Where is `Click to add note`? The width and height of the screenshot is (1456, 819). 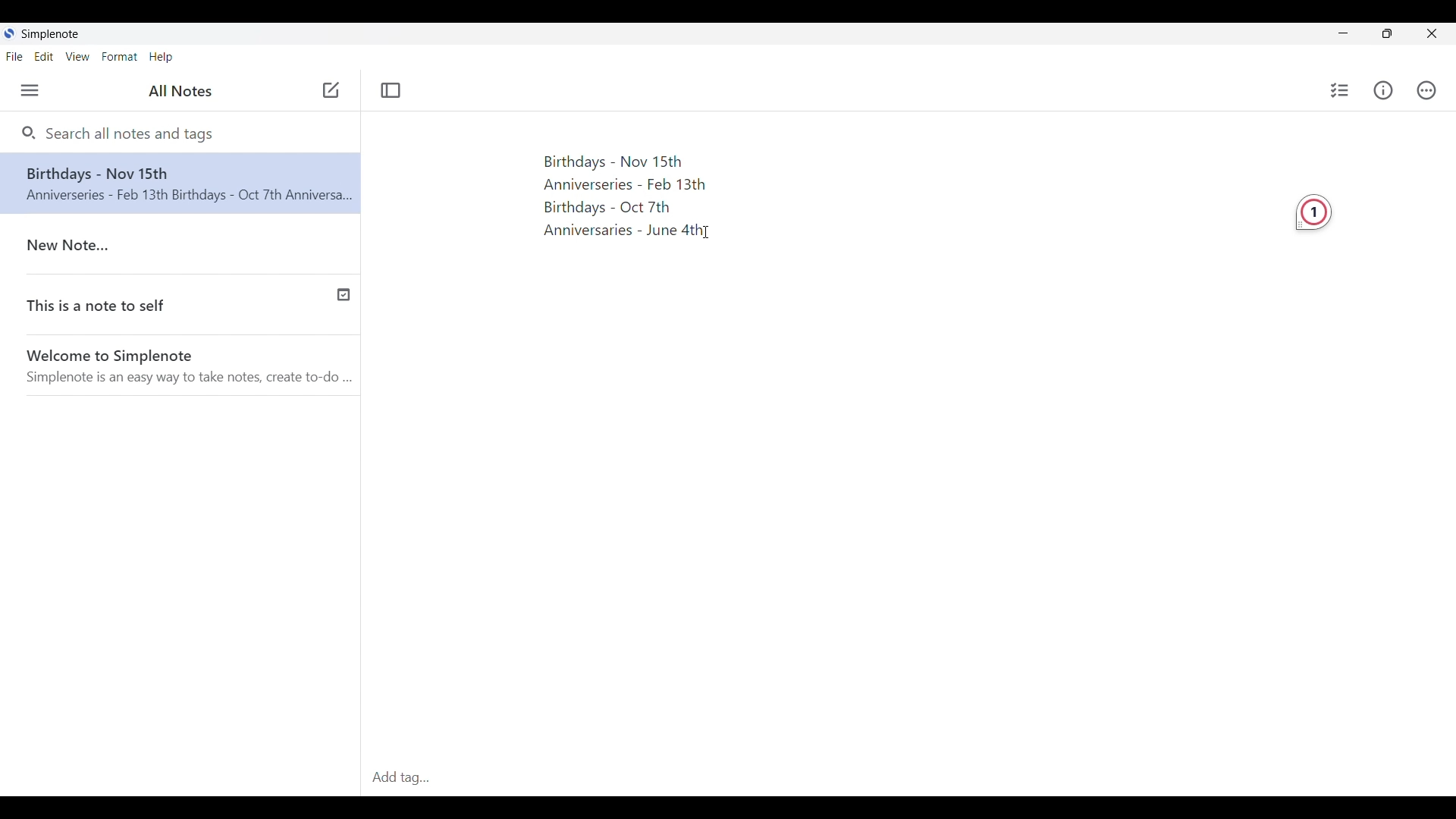
Click to add note is located at coordinates (331, 89).